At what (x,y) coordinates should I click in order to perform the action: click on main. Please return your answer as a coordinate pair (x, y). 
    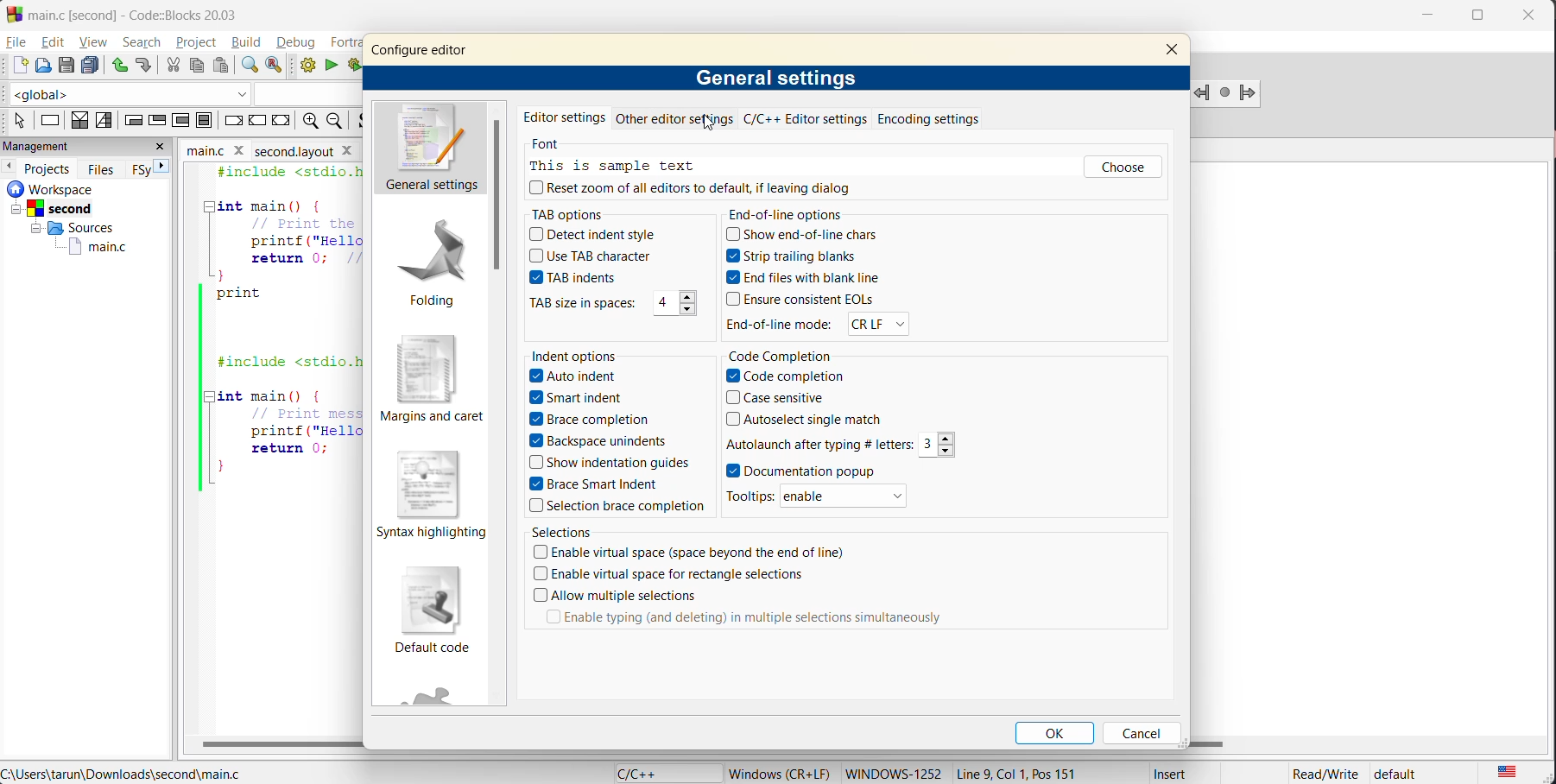
    Looking at the image, I should click on (201, 149).